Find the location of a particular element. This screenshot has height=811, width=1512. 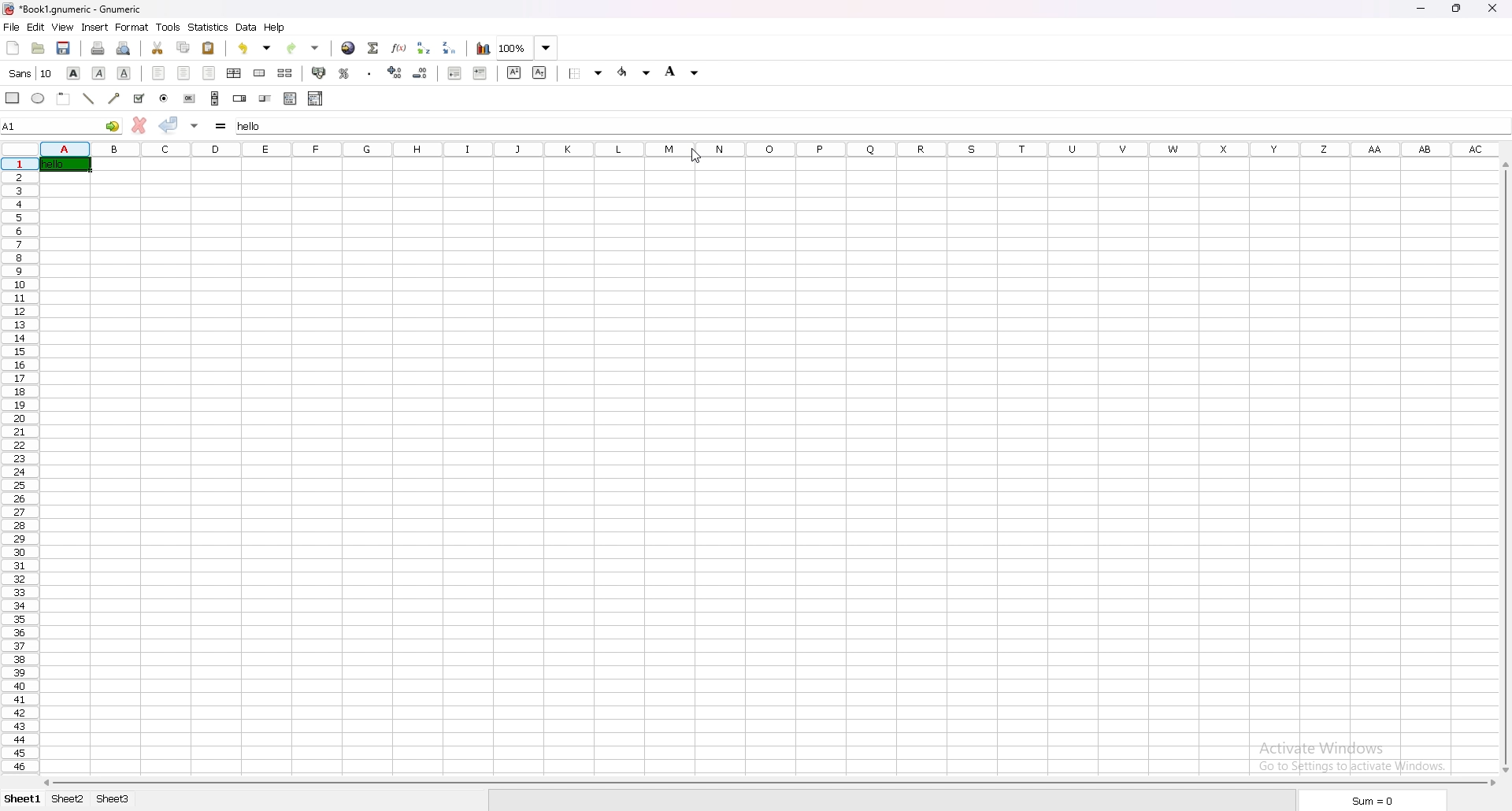

line is located at coordinates (89, 98).